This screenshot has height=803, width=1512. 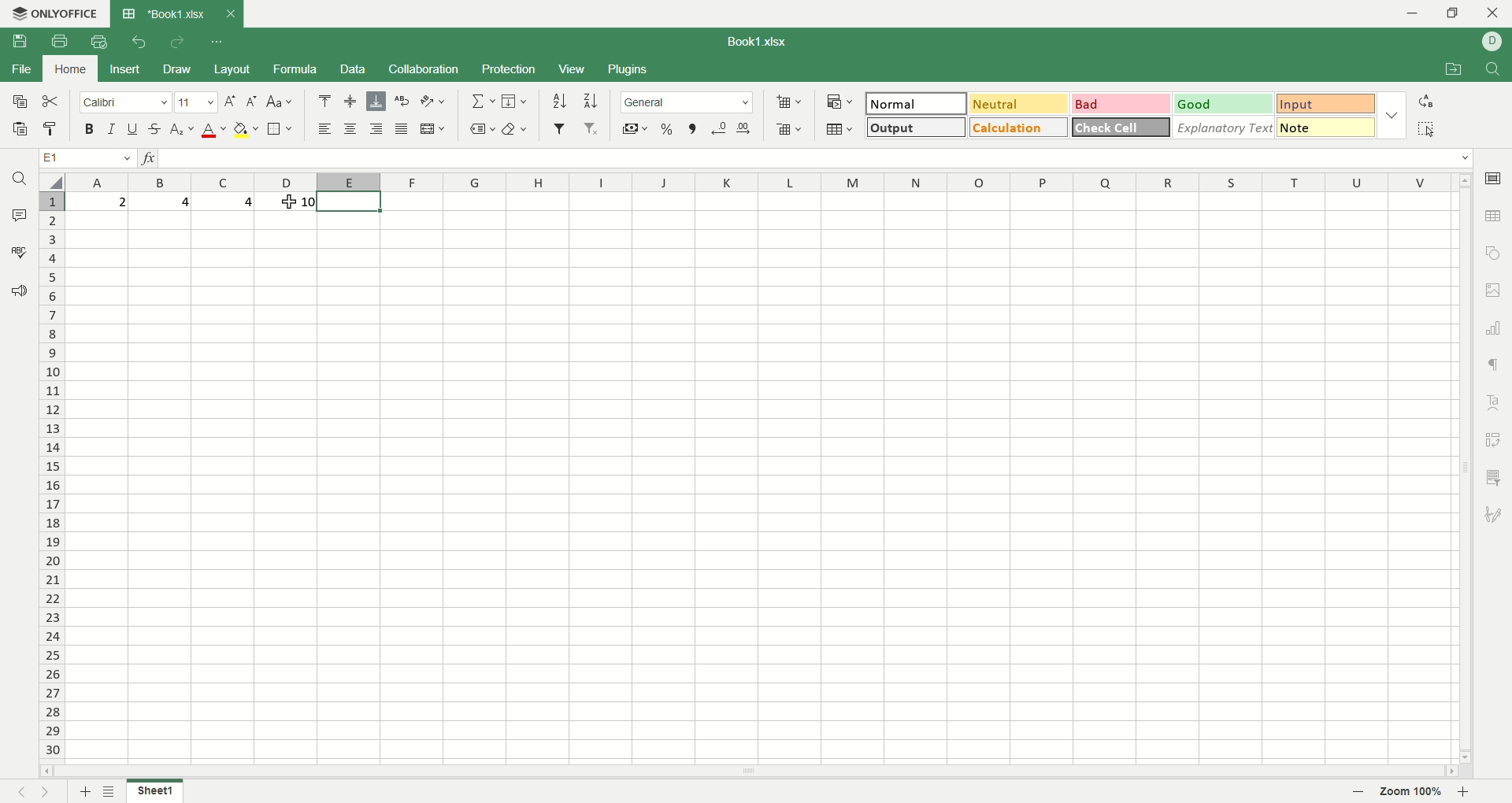 What do you see at coordinates (83, 157) in the screenshot?
I see `cell name` at bounding box center [83, 157].